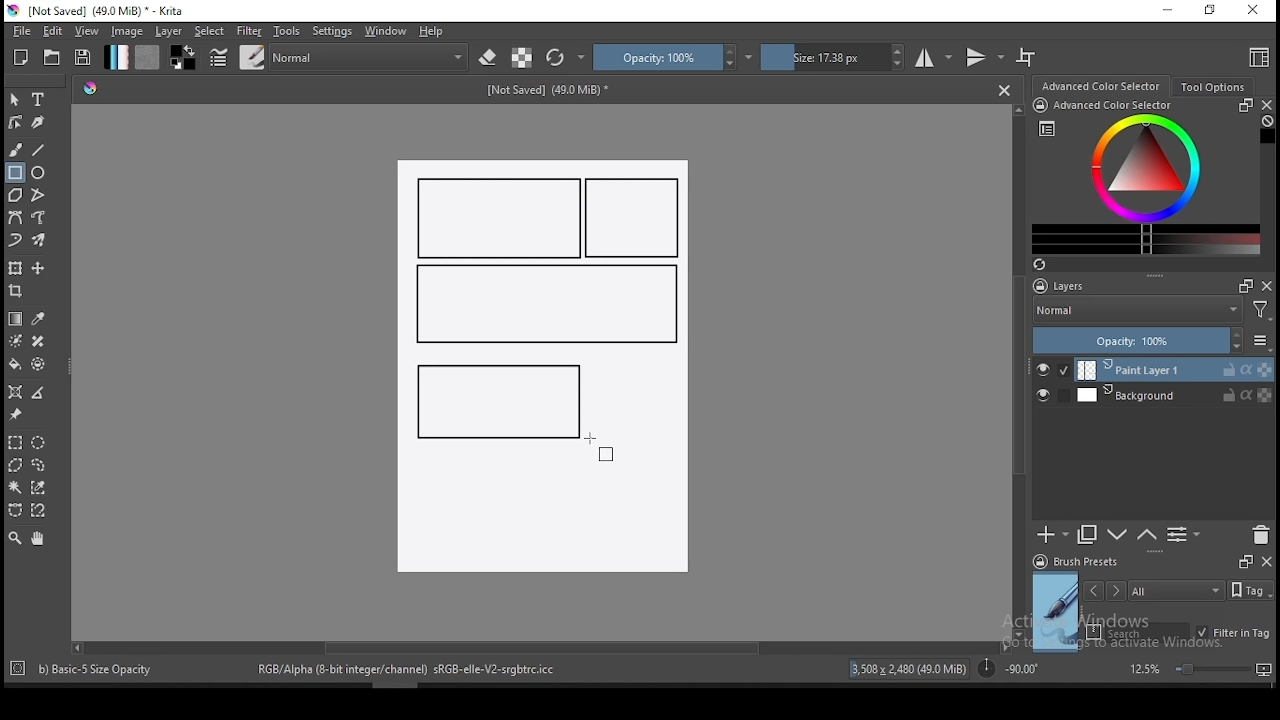  Describe the element at coordinates (598, 442) in the screenshot. I see `mouse pointer` at that location.